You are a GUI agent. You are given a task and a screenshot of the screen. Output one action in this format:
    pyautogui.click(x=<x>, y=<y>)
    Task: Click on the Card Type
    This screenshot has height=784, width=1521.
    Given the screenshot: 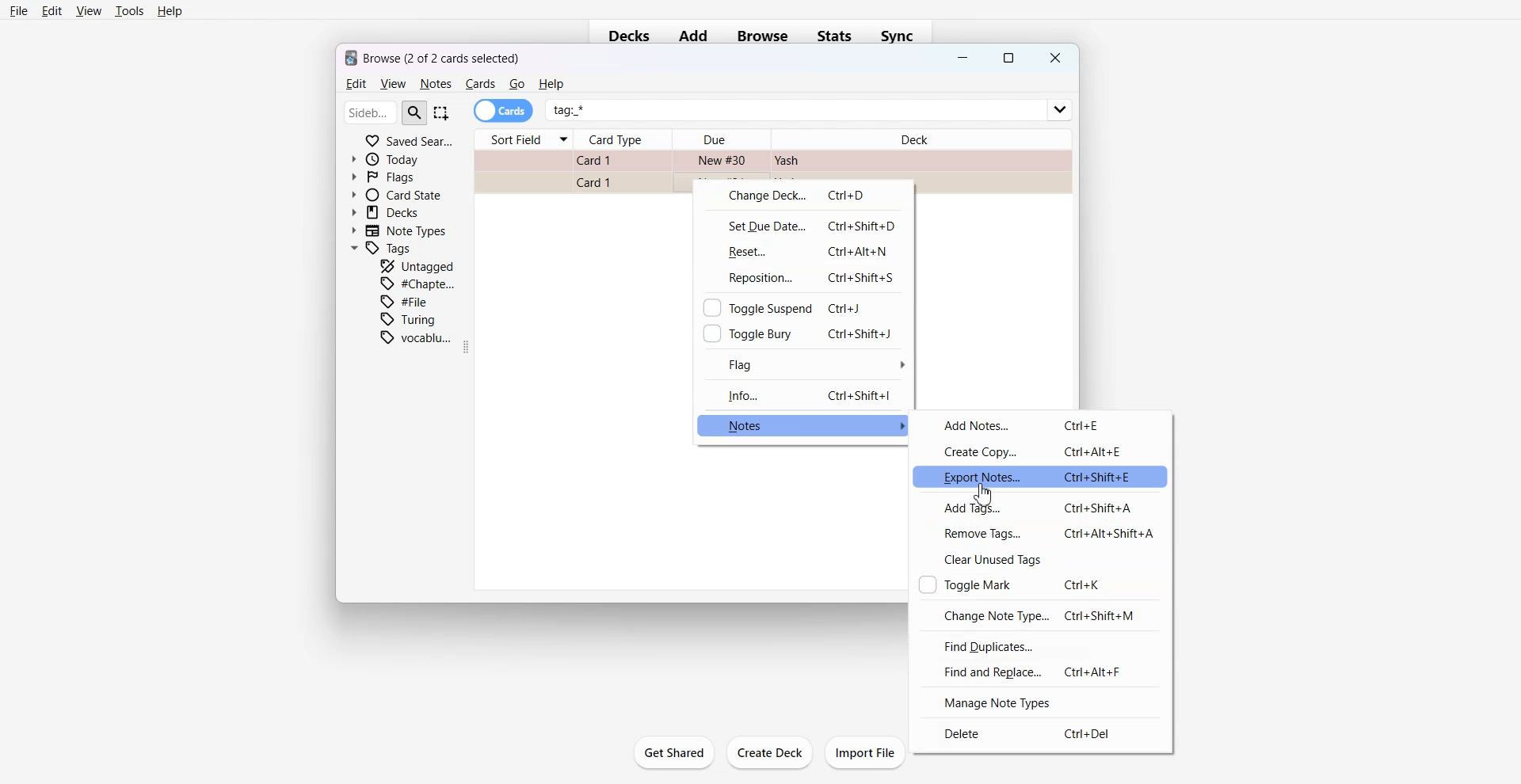 What is the action you would take?
    pyautogui.click(x=624, y=139)
    